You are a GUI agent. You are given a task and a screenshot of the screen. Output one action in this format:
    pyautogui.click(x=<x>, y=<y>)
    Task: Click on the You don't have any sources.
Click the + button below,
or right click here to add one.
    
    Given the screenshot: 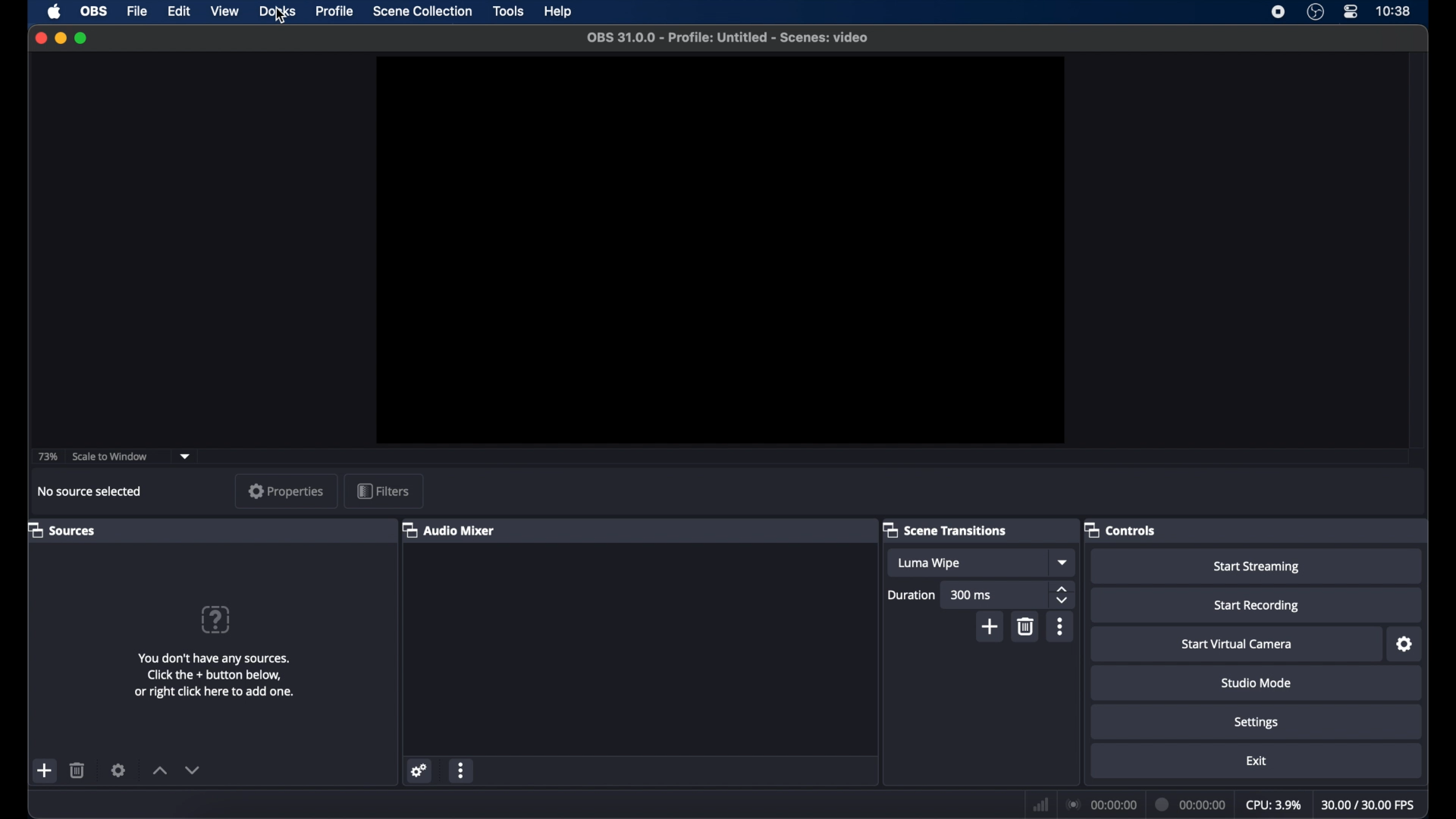 What is the action you would take?
    pyautogui.click(x=215, y=672)
    